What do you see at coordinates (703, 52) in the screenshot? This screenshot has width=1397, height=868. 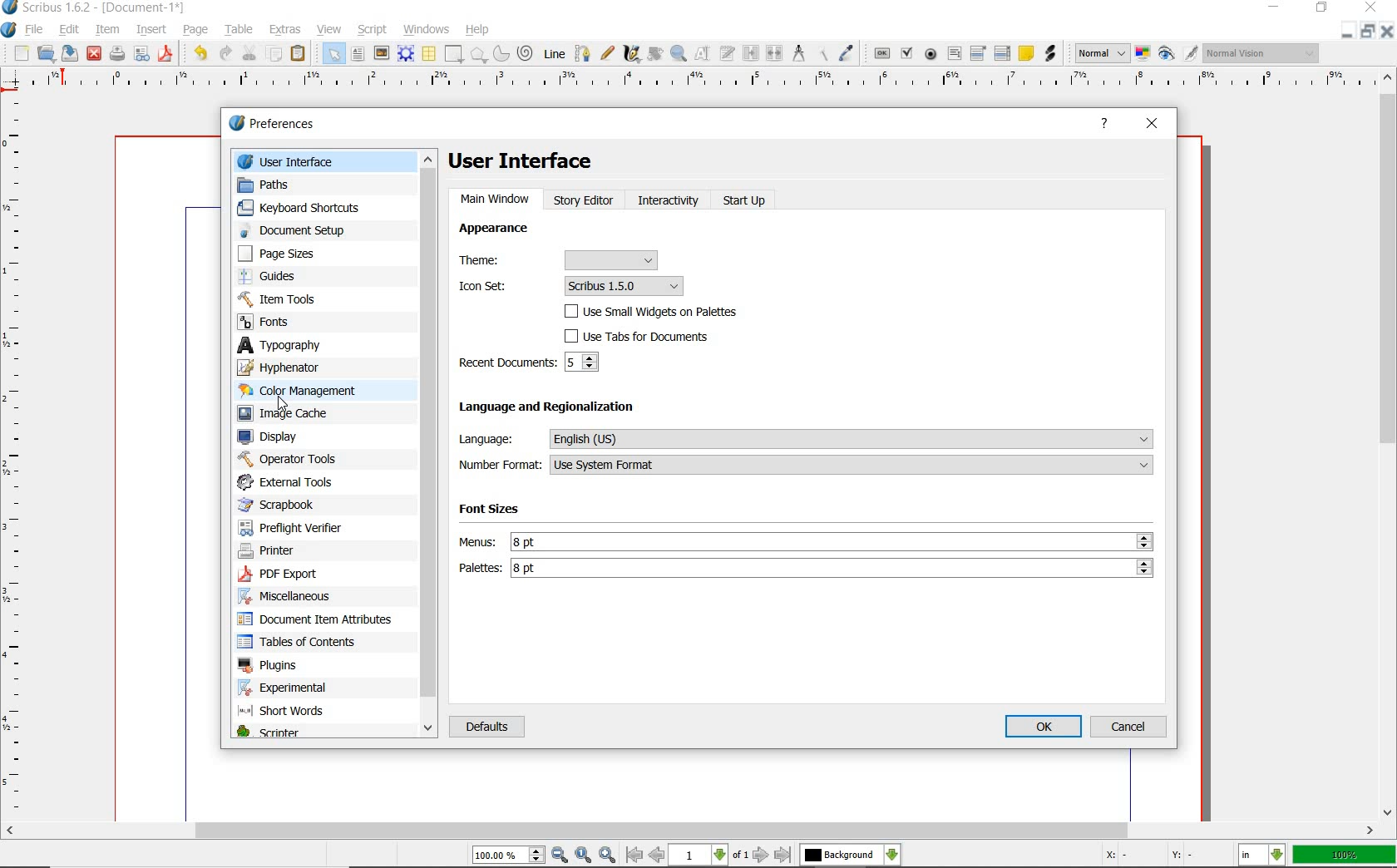 I see `edit contents of frame` at bounding box center [703, 52].